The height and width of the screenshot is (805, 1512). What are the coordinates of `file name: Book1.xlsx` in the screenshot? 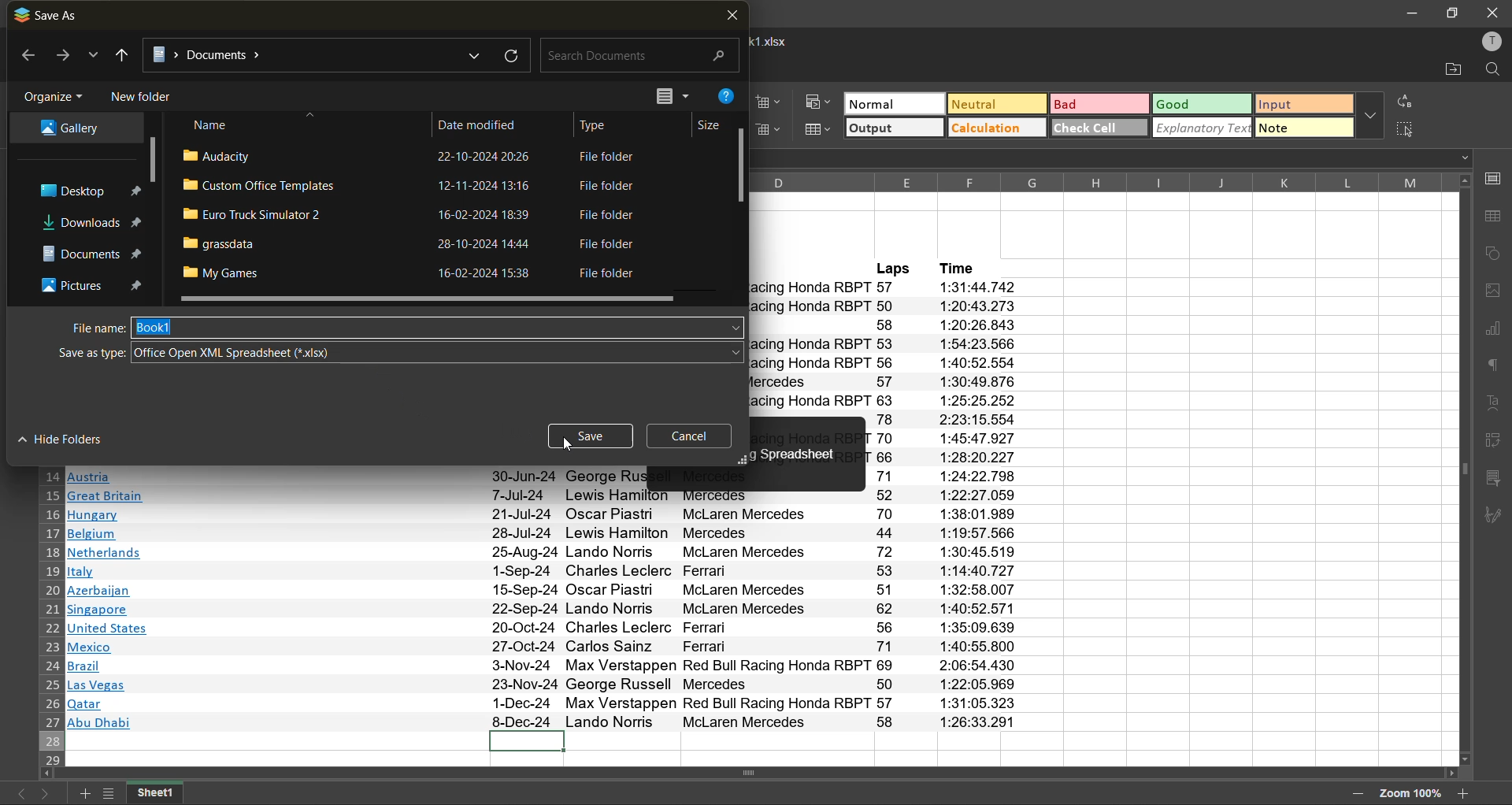 It's located at (776, 42).